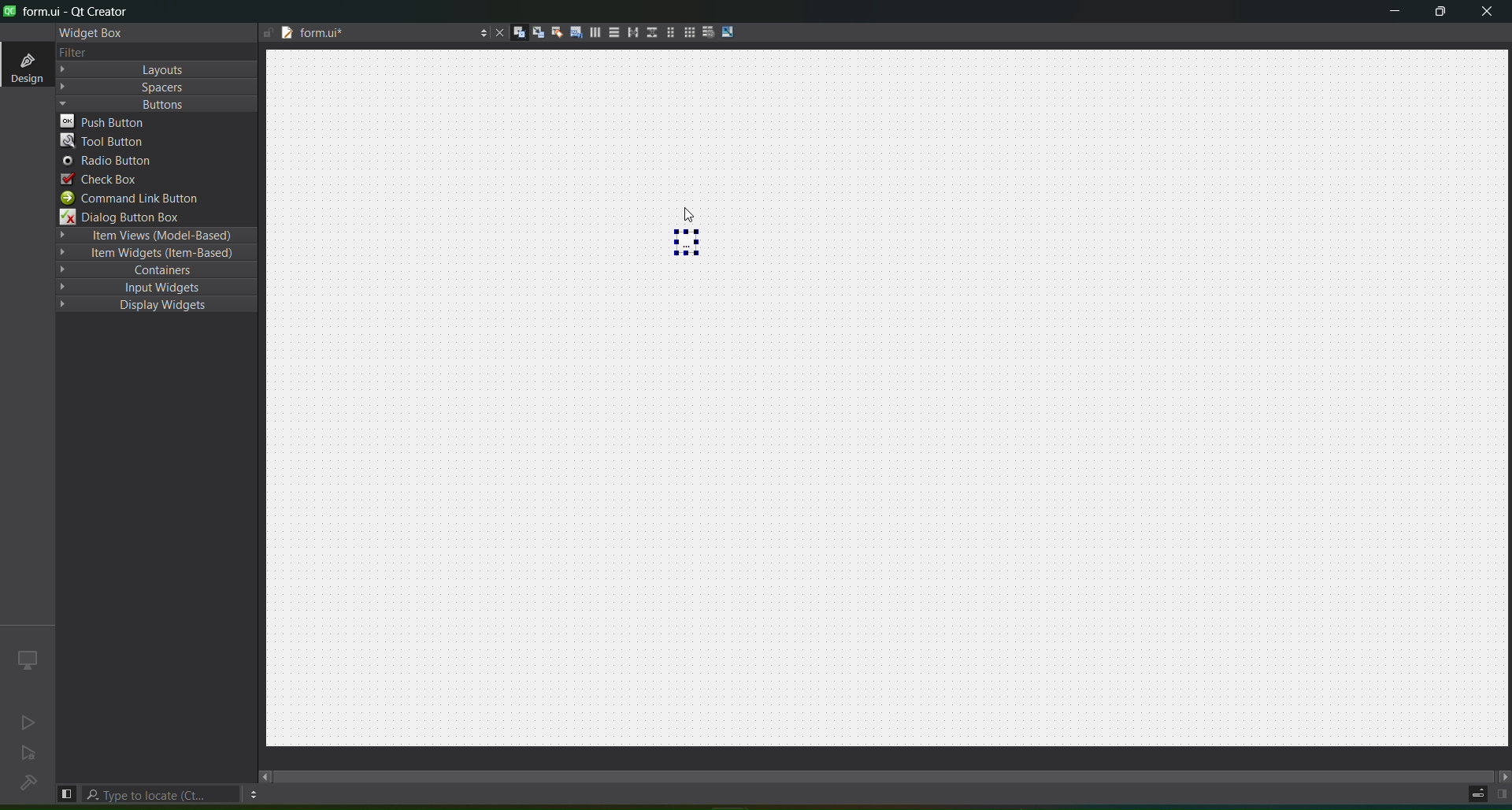 This screenshot has height=810, width=1512. Describe the element at coordinates (29, 754) in the screenshot. I see `no active project` at that location.